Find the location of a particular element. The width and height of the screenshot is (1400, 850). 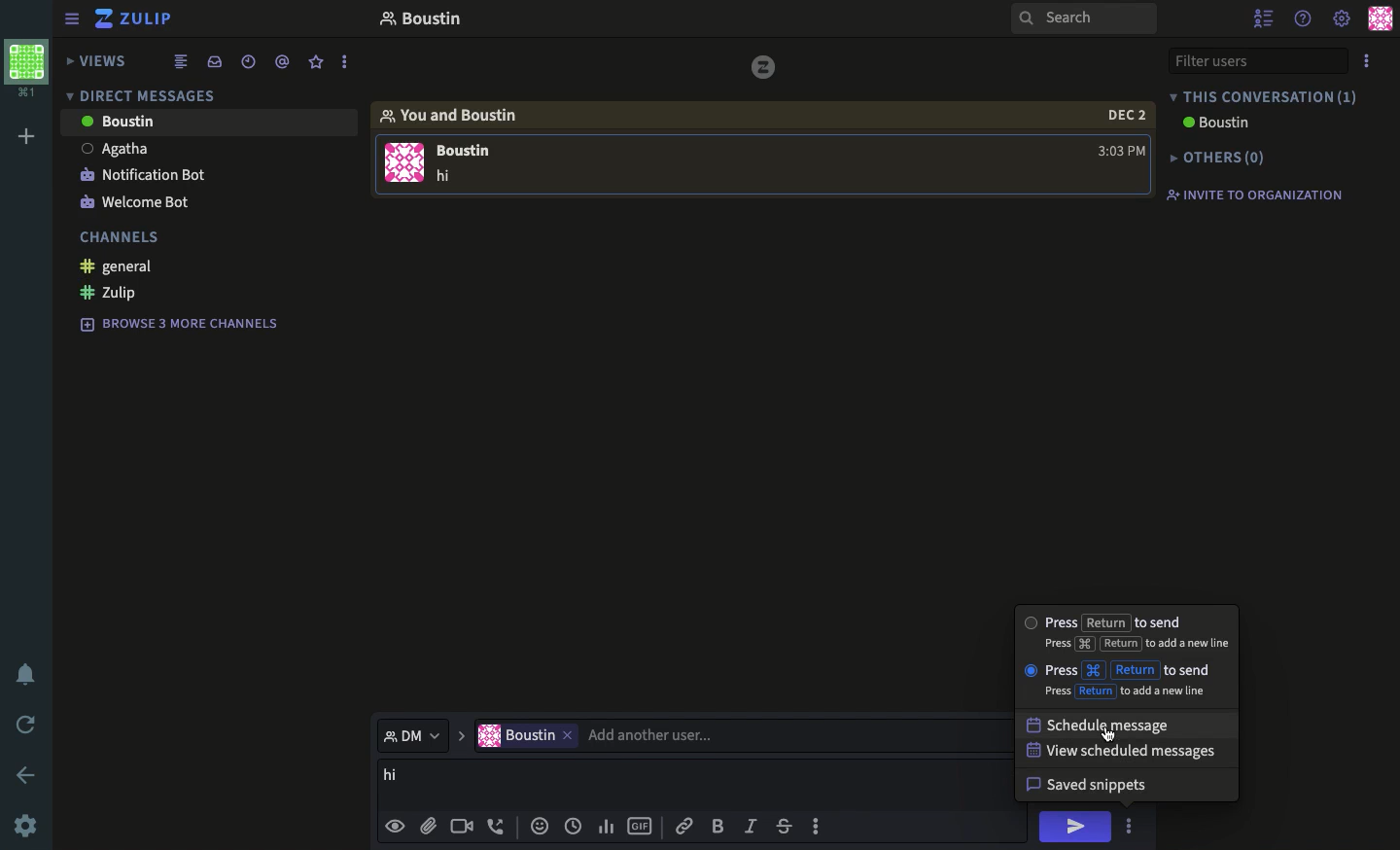

options is located at coordinates (821, 829).